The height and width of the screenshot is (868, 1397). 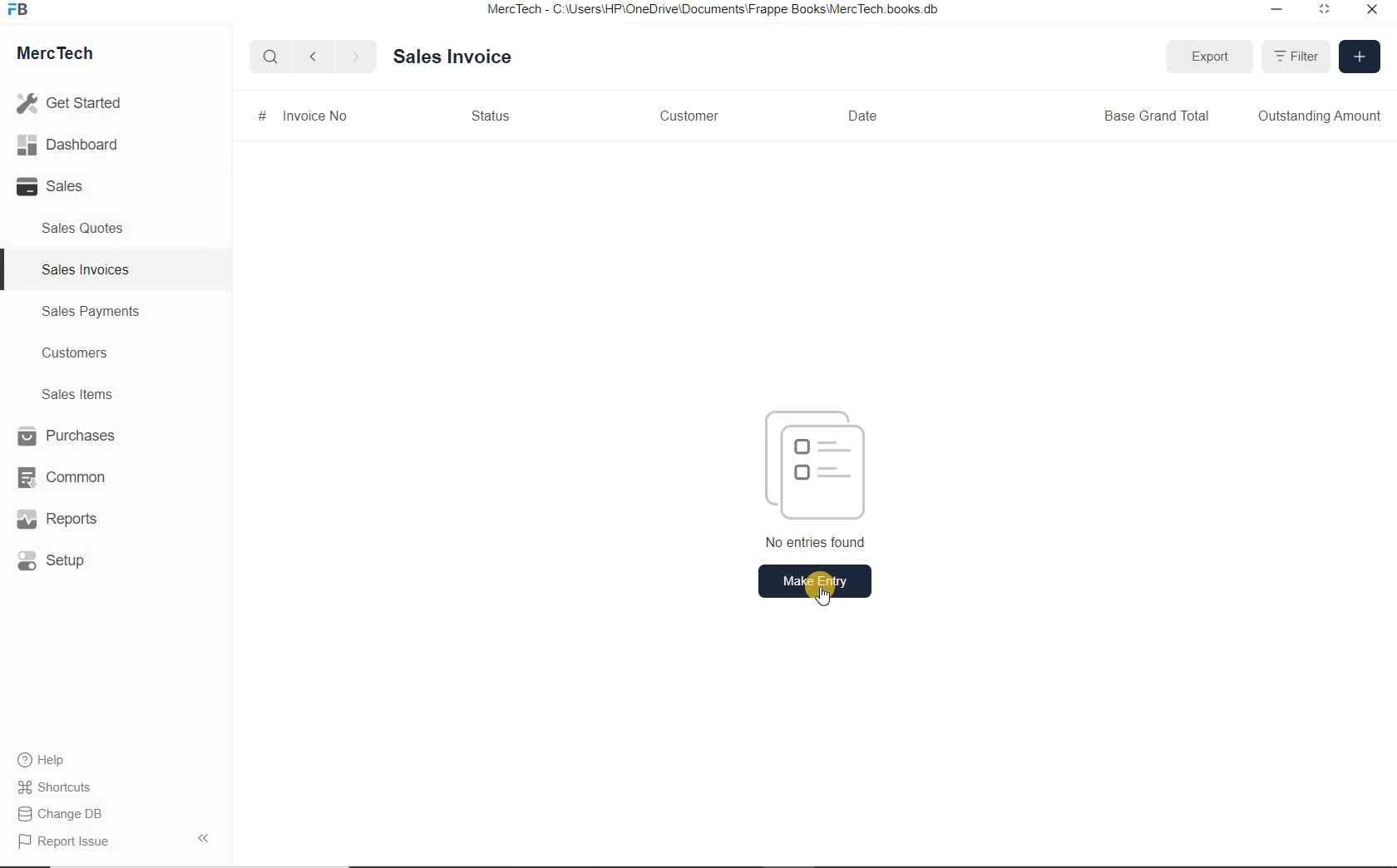 What do you see at coordinates (70, 520) in the screenshot?
I see `Reports` at bounding box center [70, 520].